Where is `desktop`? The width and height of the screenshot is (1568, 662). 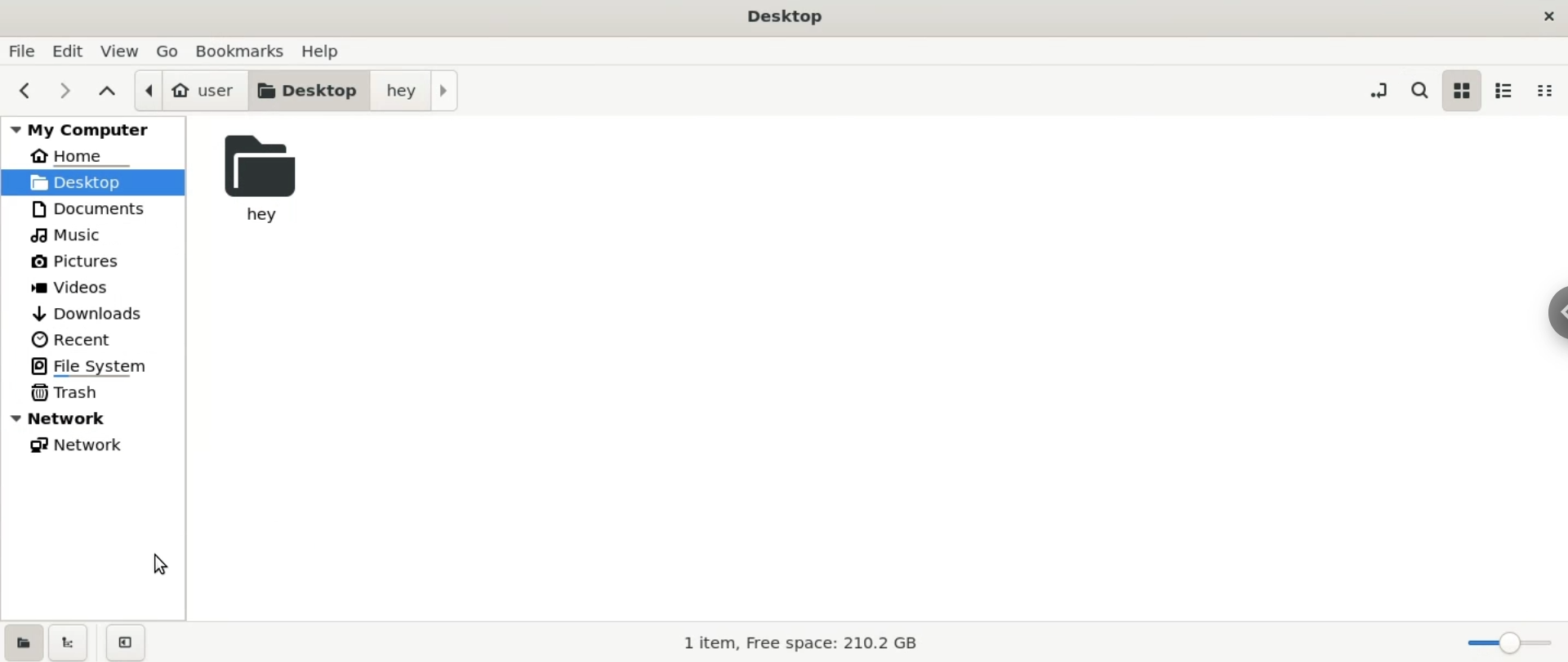 desktop is located at coordinates (91, 182).